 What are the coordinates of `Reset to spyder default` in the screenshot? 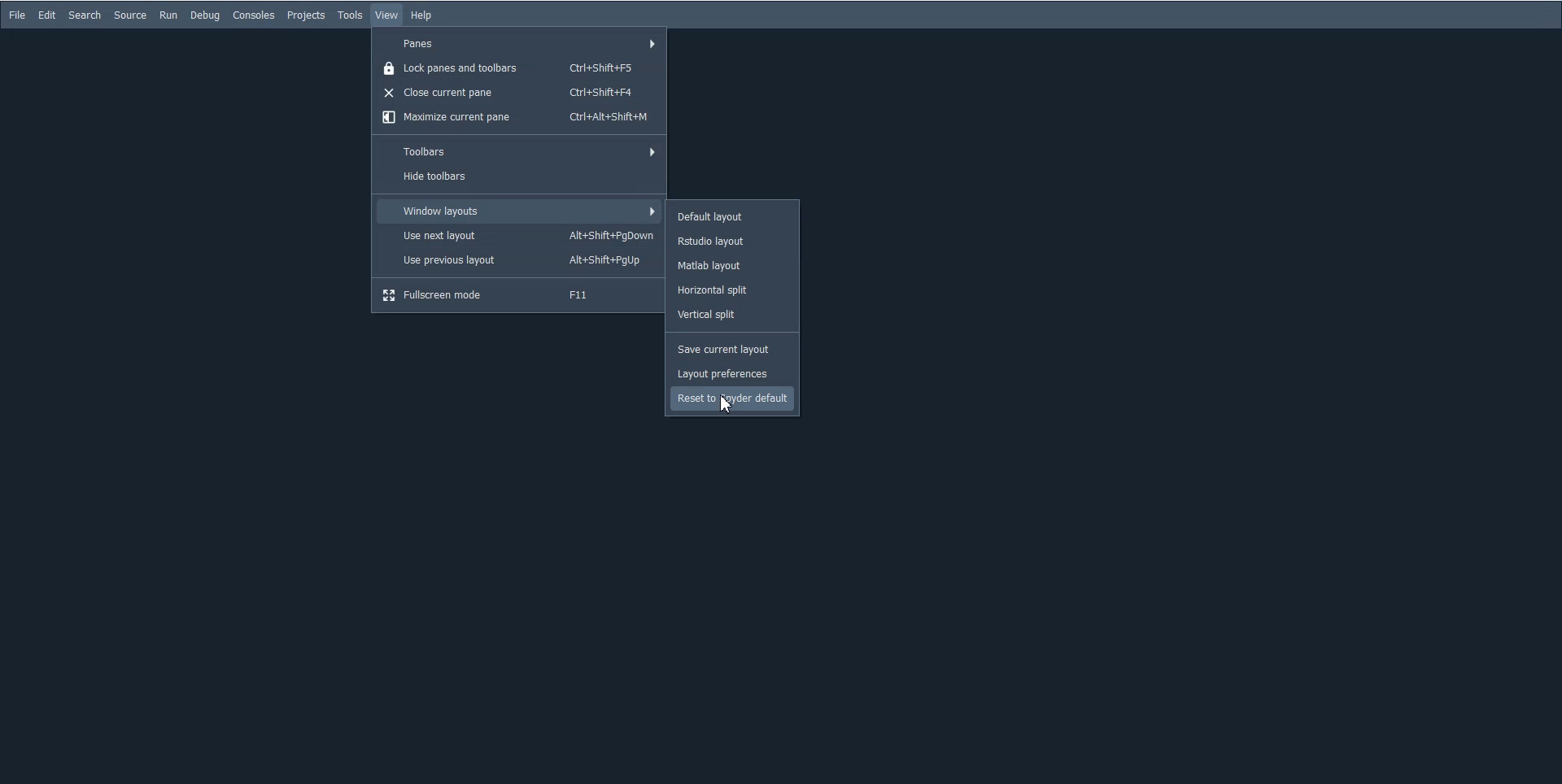 It's located at (731, 399).